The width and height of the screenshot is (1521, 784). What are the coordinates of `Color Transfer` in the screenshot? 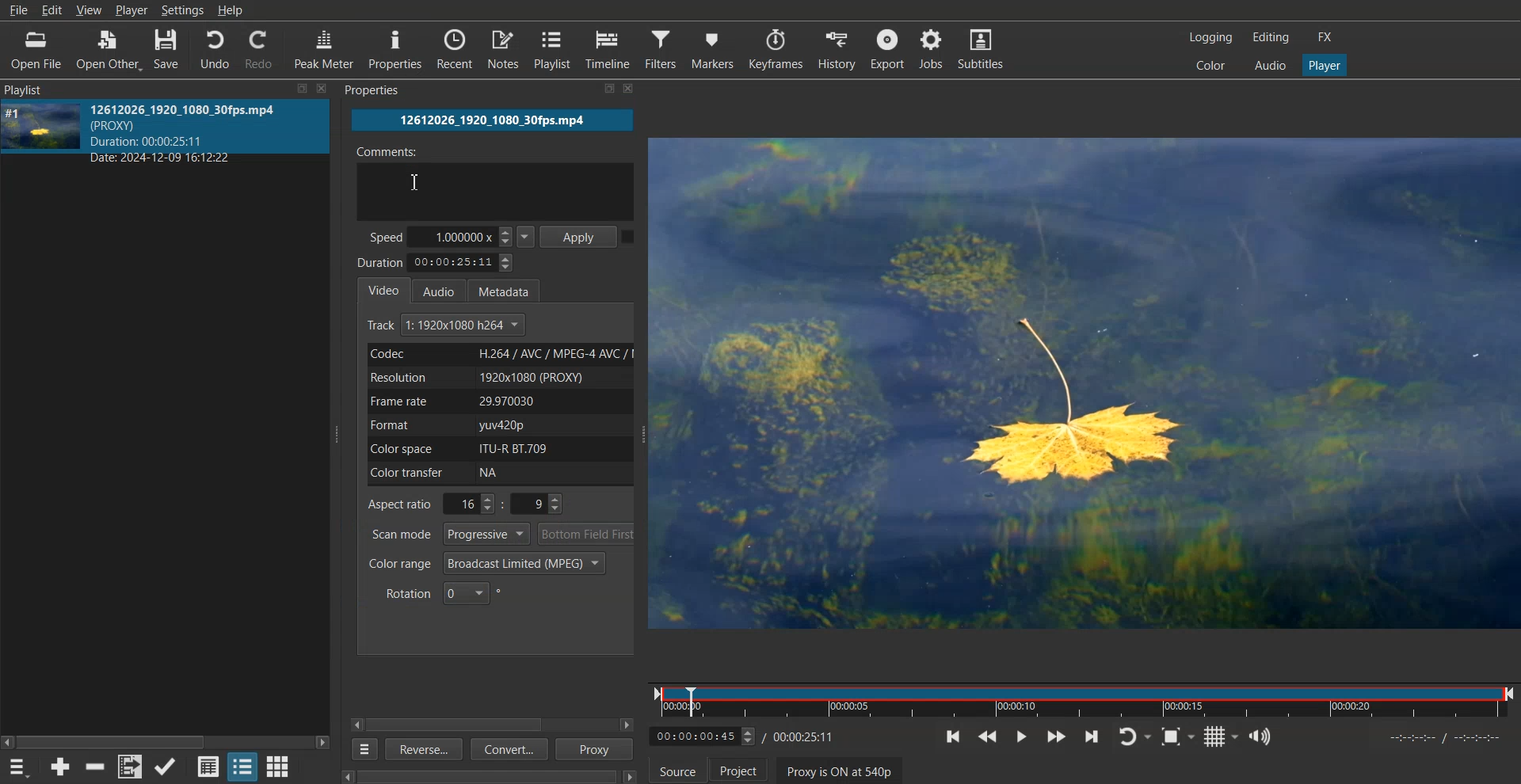 It's located at (502, 474).